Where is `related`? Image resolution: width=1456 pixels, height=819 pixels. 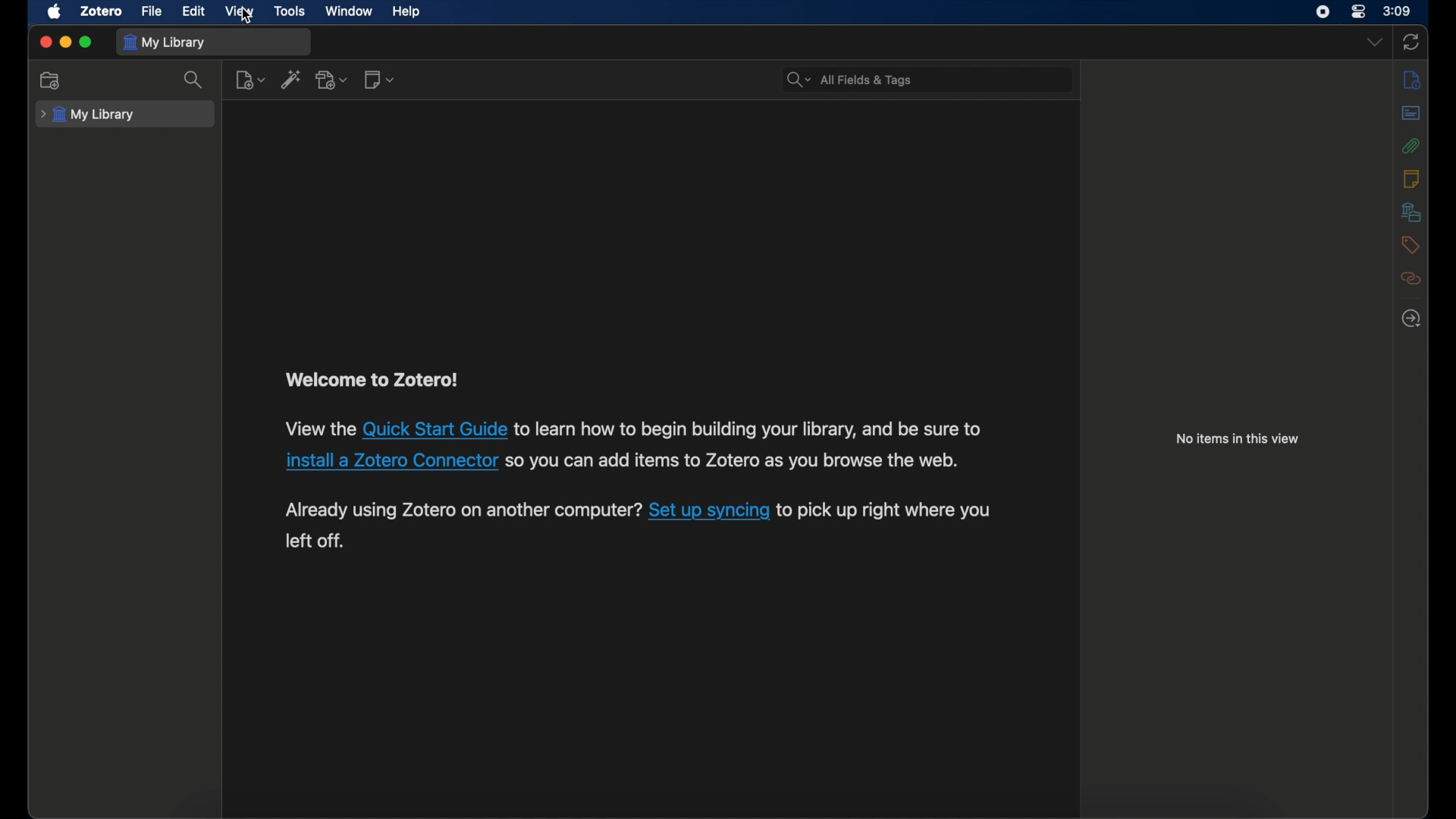 related is located at coordinates (1411, 278).